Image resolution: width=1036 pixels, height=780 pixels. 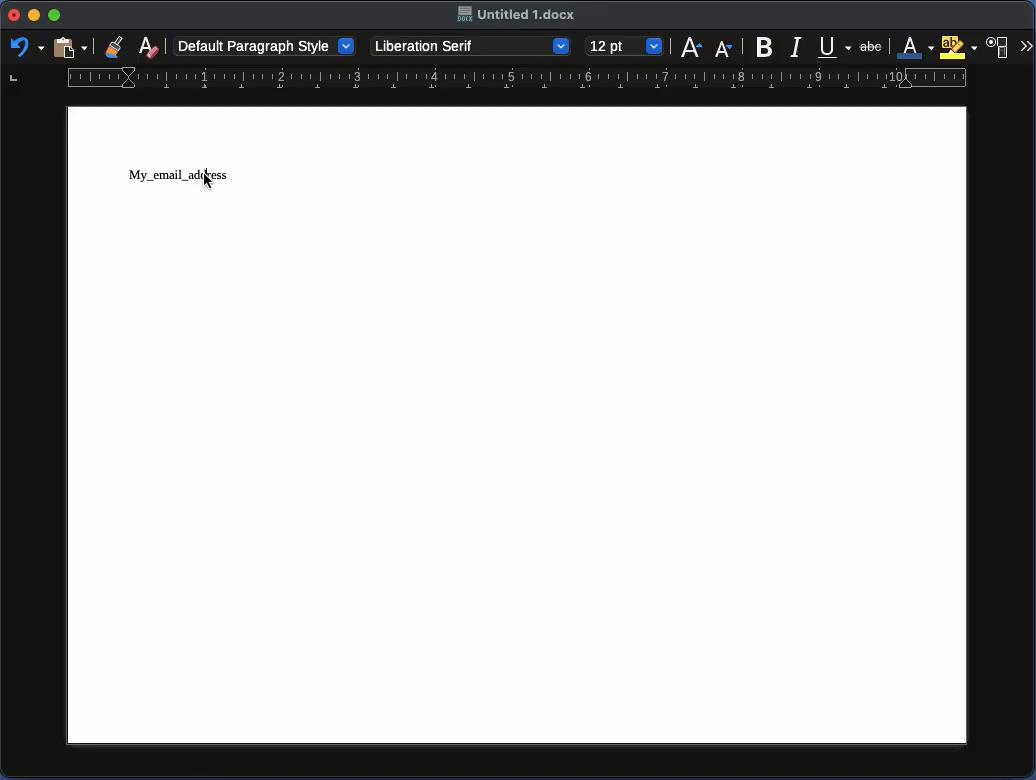 I want to click on 12pt, so click(x=625, y=45).